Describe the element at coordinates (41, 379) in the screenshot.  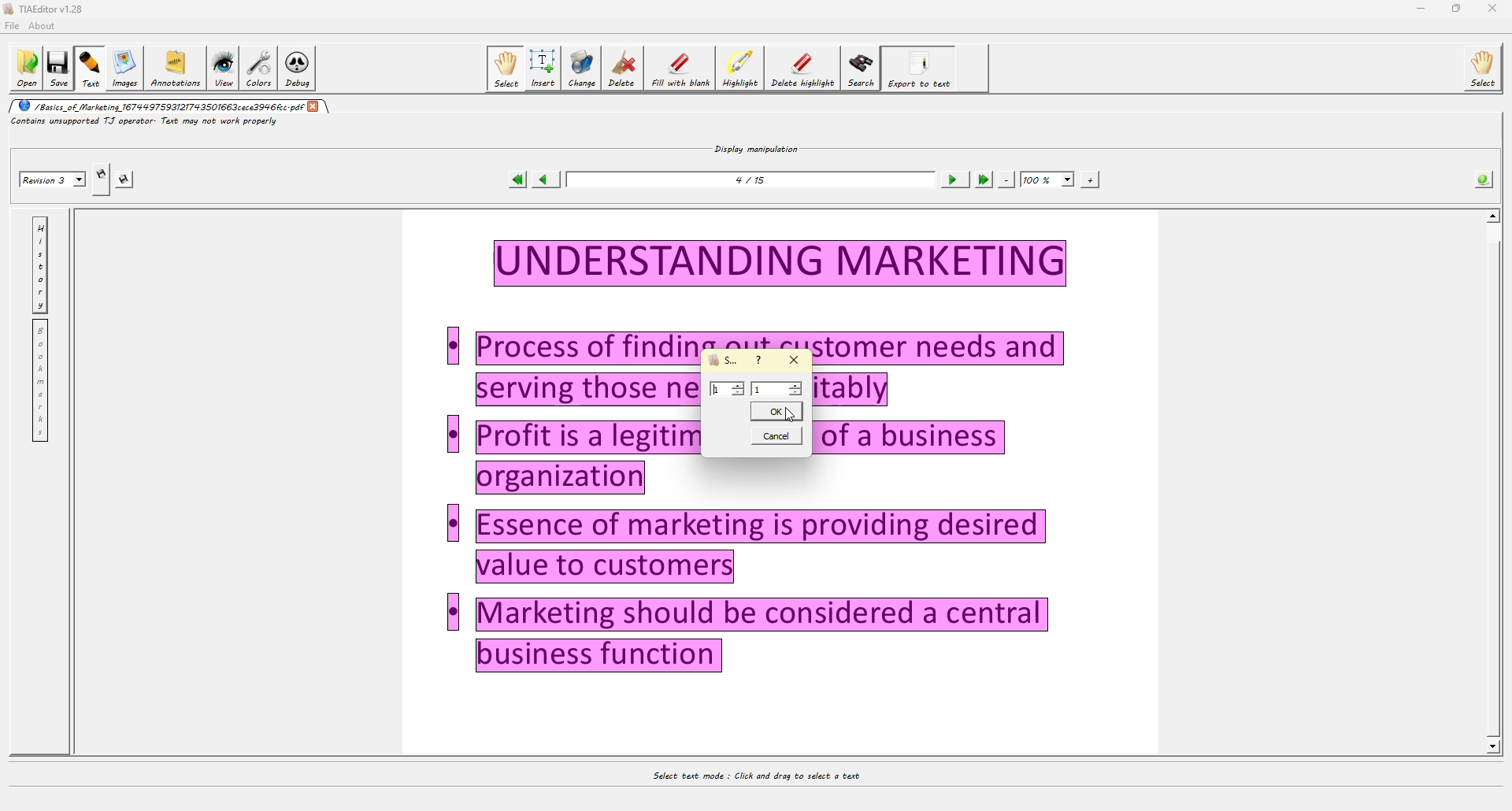
I see `bookmarks` at that location.